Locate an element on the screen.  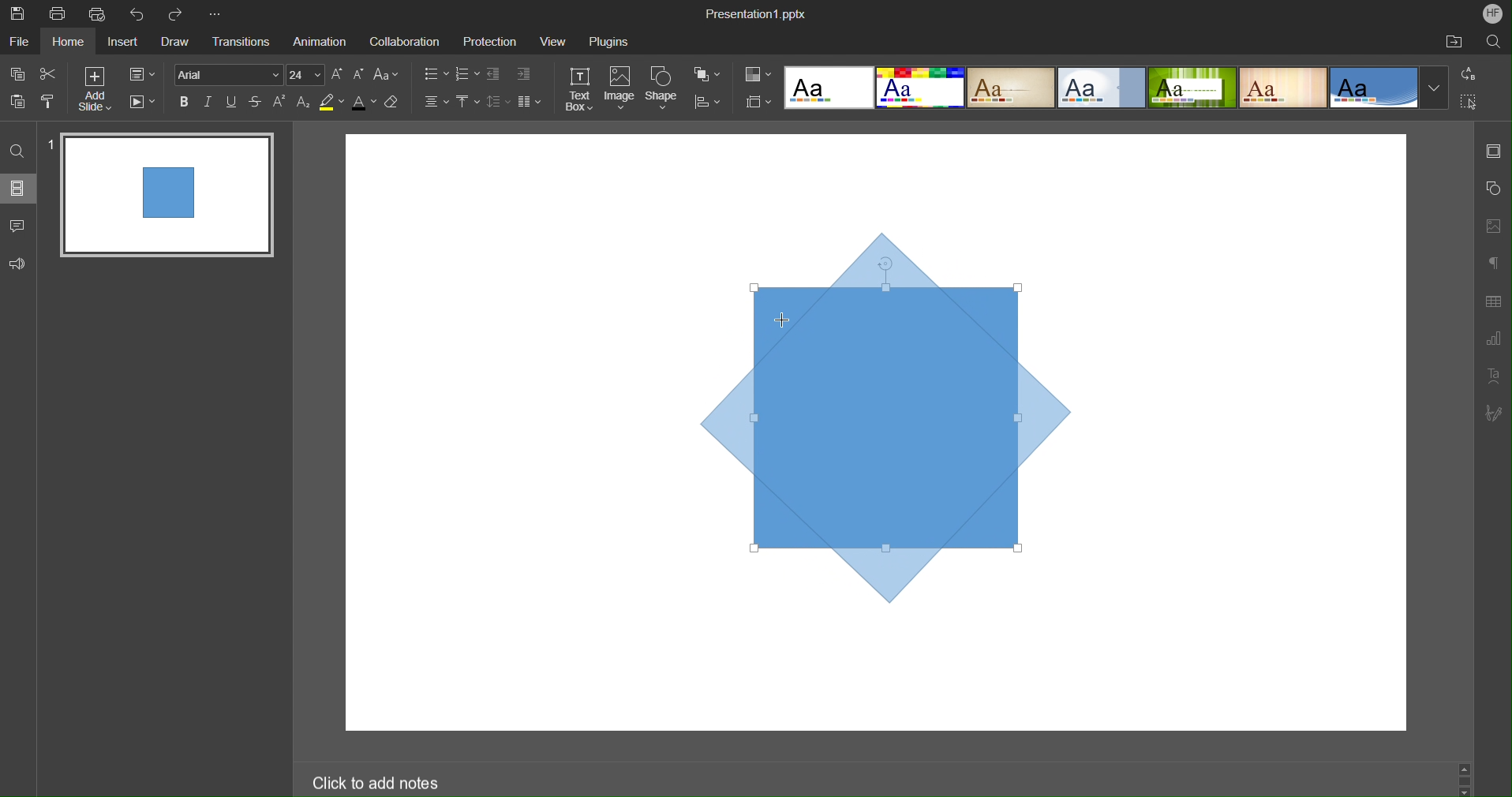
Italics is located at coordinates (208, 102).